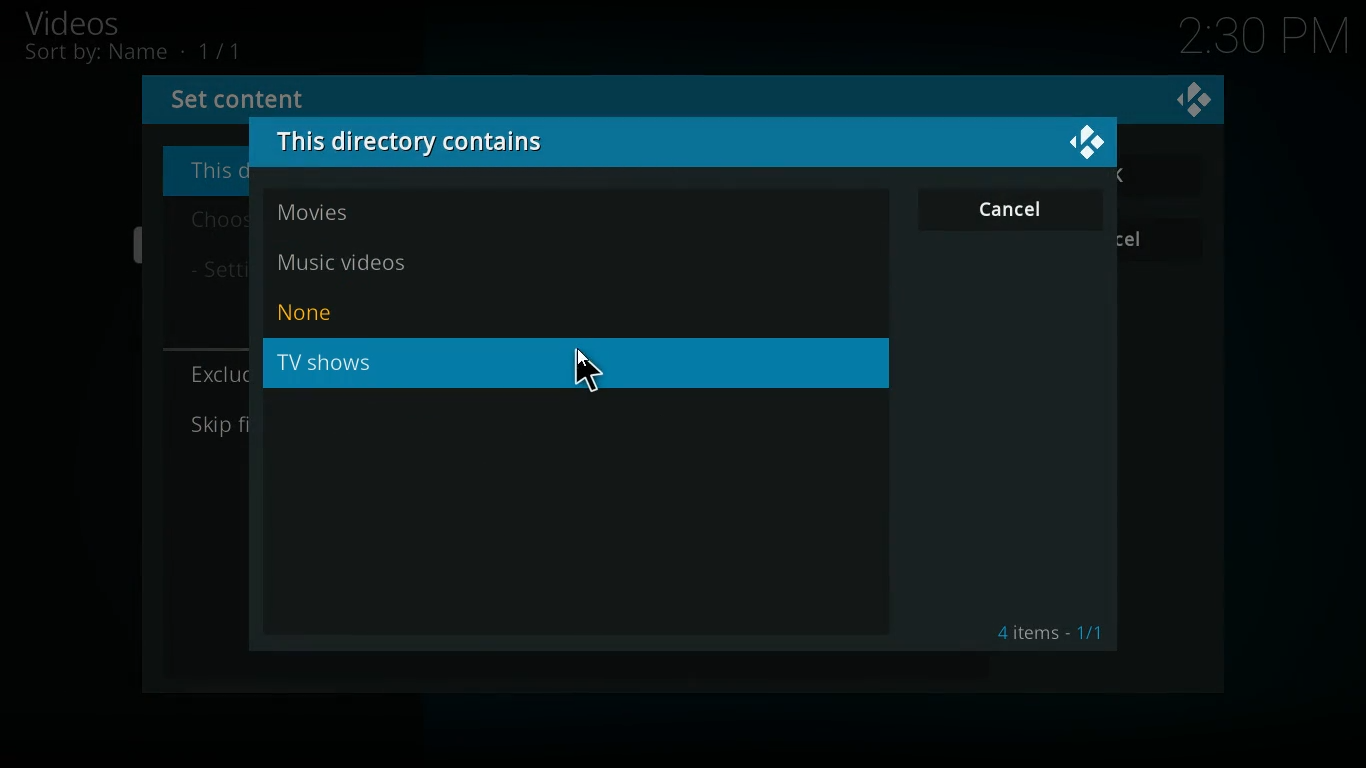  Describe the element at coordinates (359, 314) in the screenshot. I see `none` at that location.